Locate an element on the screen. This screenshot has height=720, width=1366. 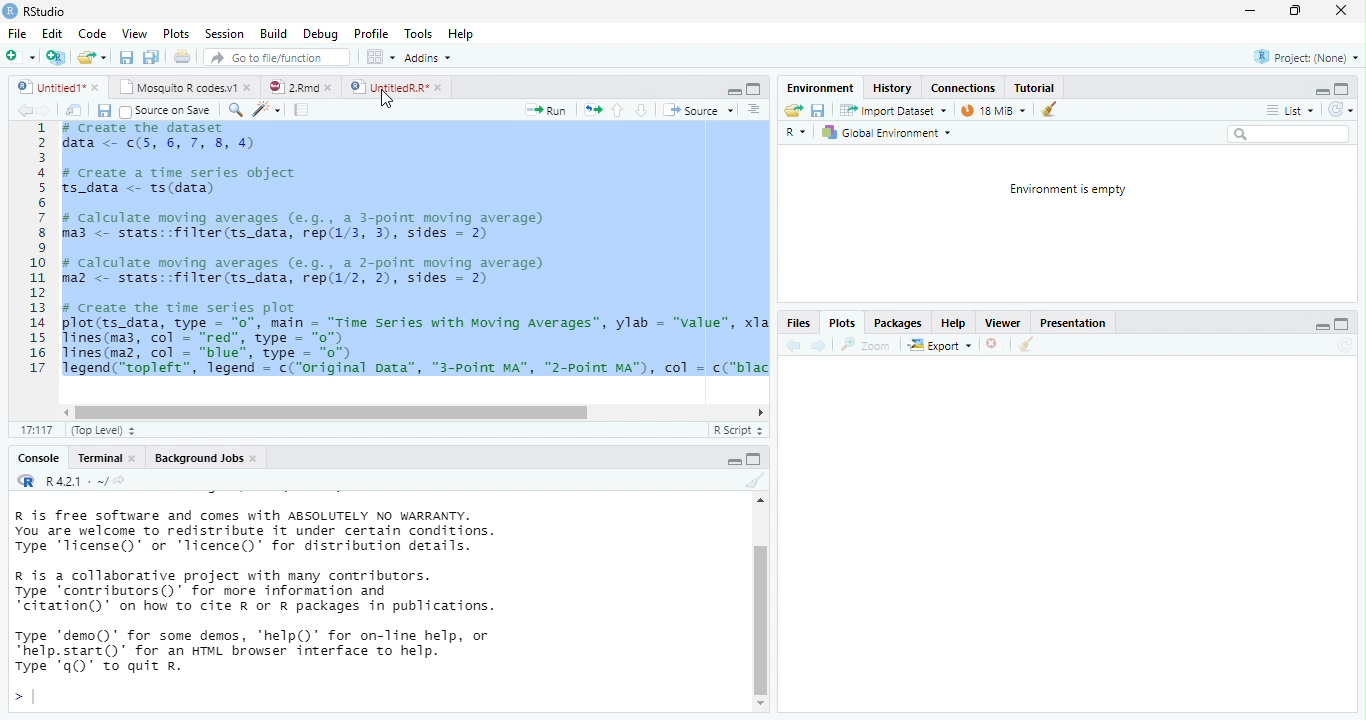
next is located at coordinates (819, 345).